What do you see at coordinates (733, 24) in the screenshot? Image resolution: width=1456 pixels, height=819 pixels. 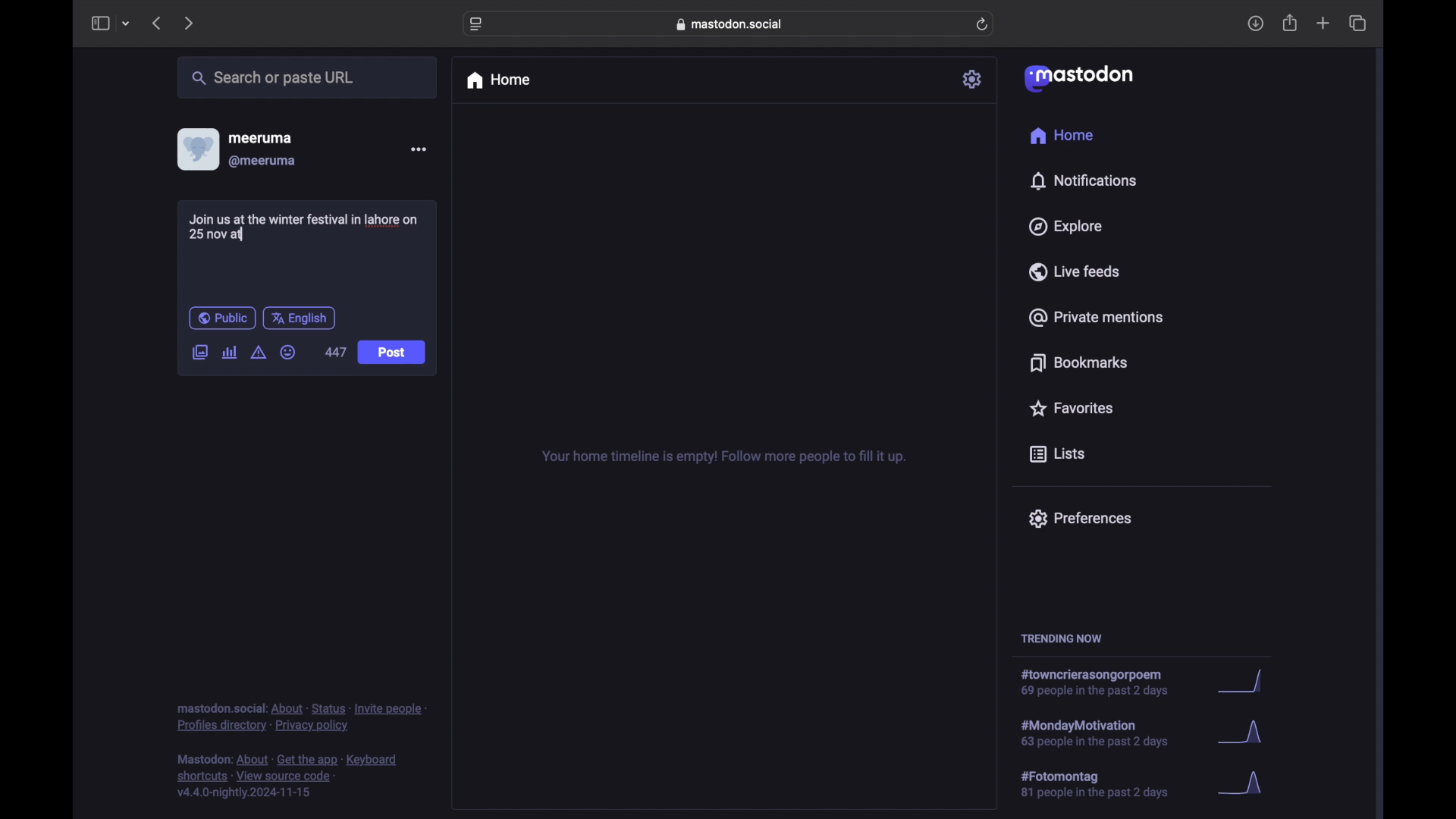 I see `web address` at bounding box center [733, 24].